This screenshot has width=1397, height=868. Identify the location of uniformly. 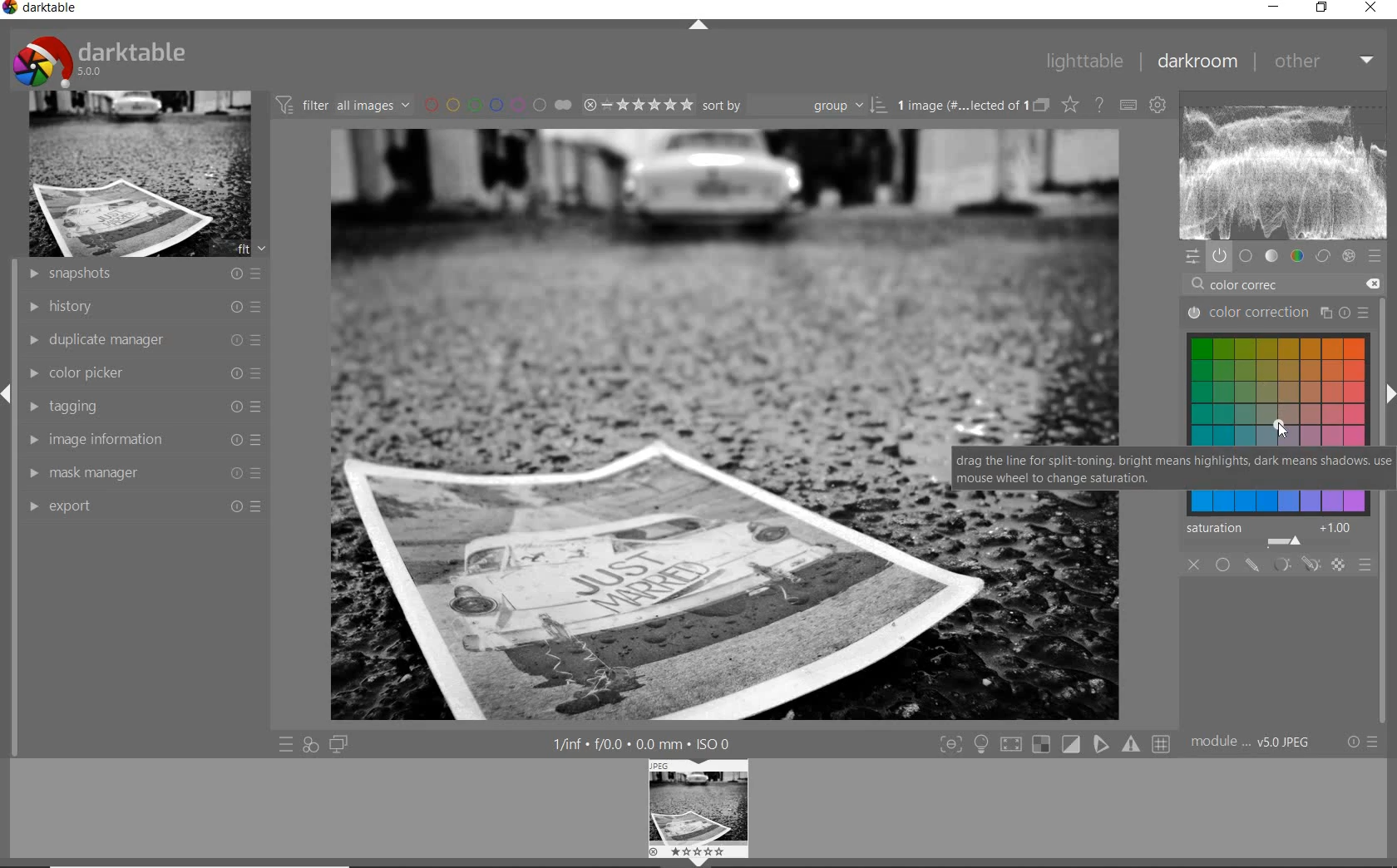
(1222, 565).